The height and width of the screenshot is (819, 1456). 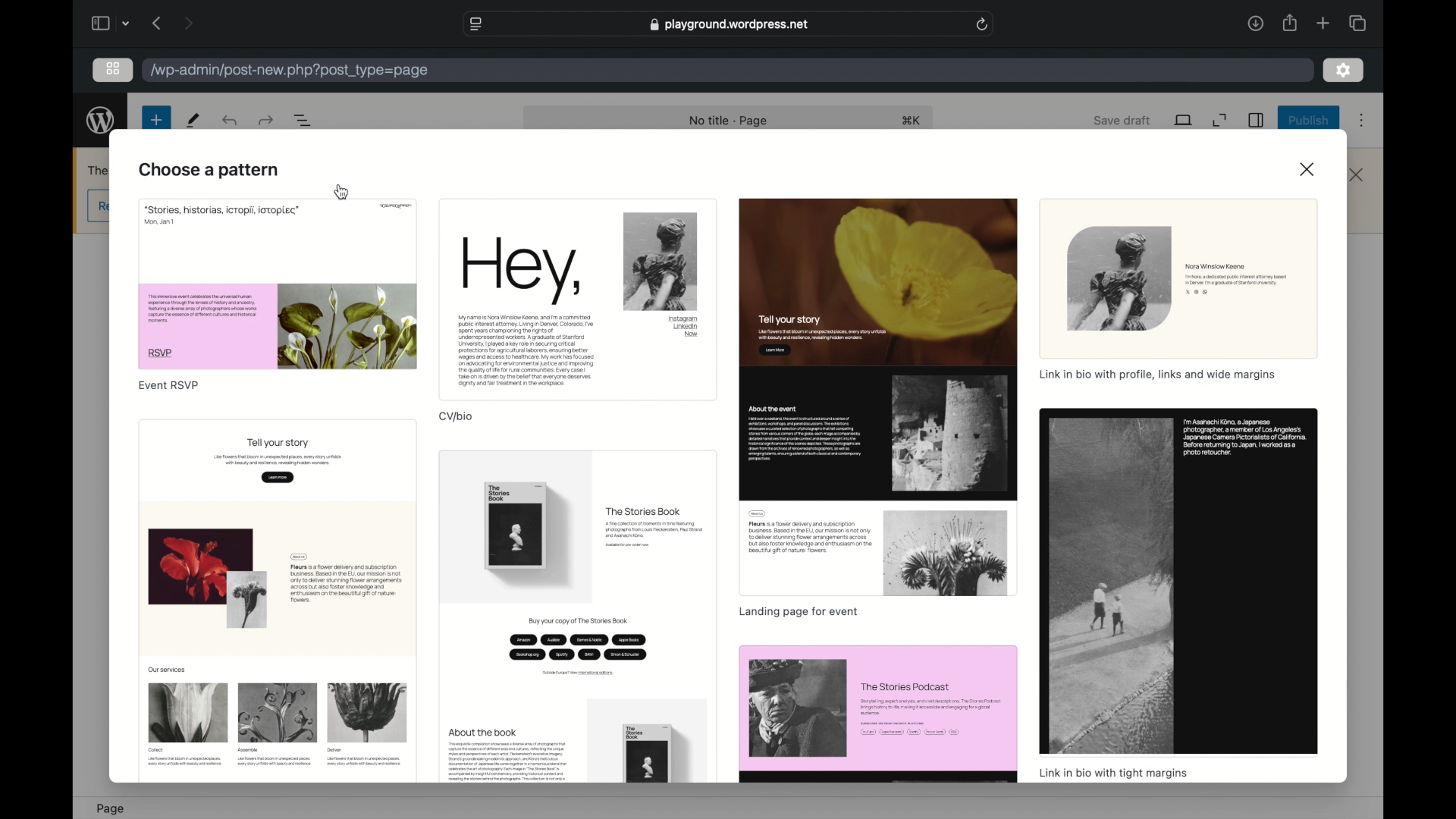 What do you see at coordinates (100, 206) in the screenshot?
I see `obscure button` at bounding box center [100, 206].